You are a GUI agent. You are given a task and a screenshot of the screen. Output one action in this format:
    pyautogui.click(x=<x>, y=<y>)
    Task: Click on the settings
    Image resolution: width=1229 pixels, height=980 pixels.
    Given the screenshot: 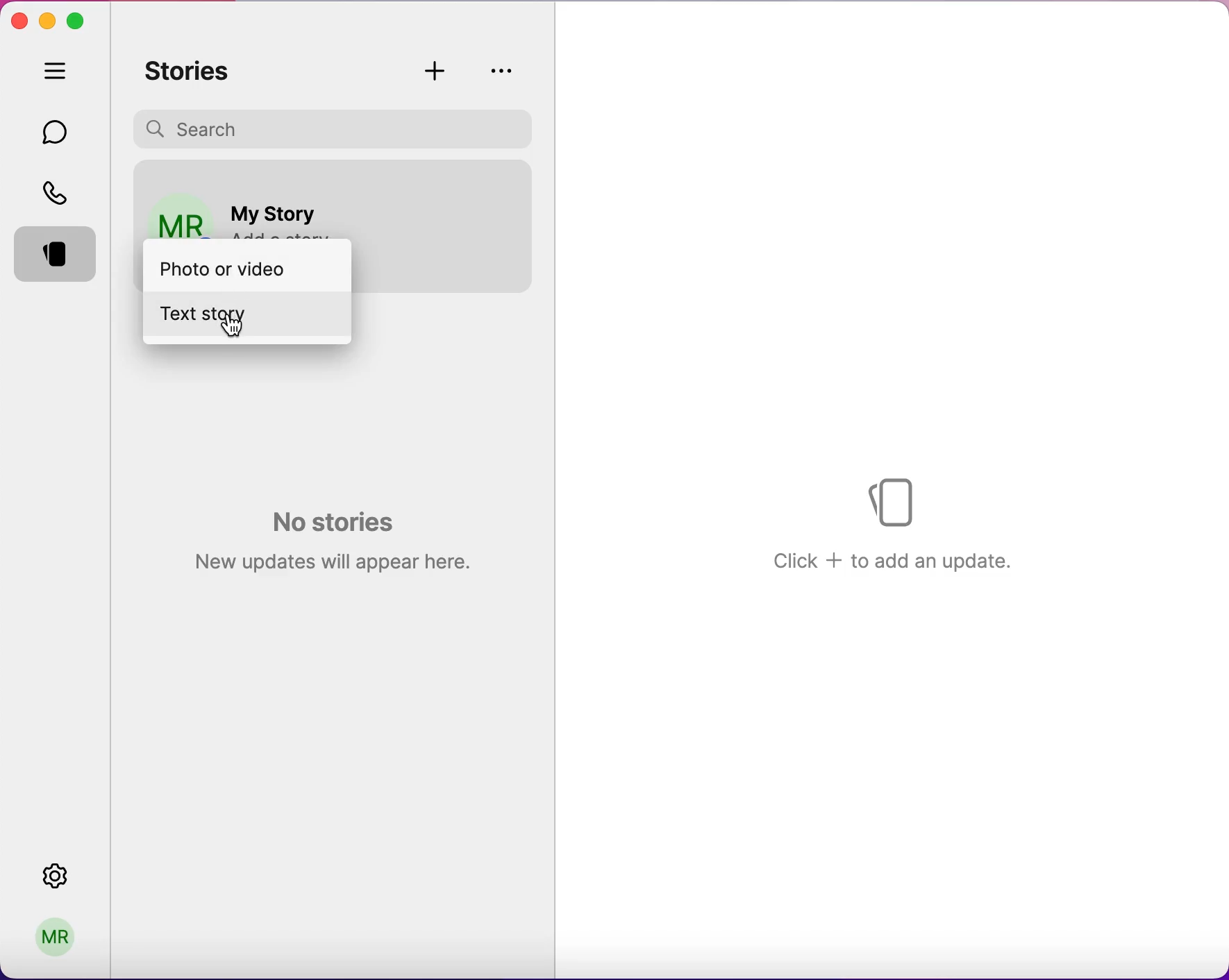 What is the action you would take?
    pyautogui.click(x=69, y=876)
    